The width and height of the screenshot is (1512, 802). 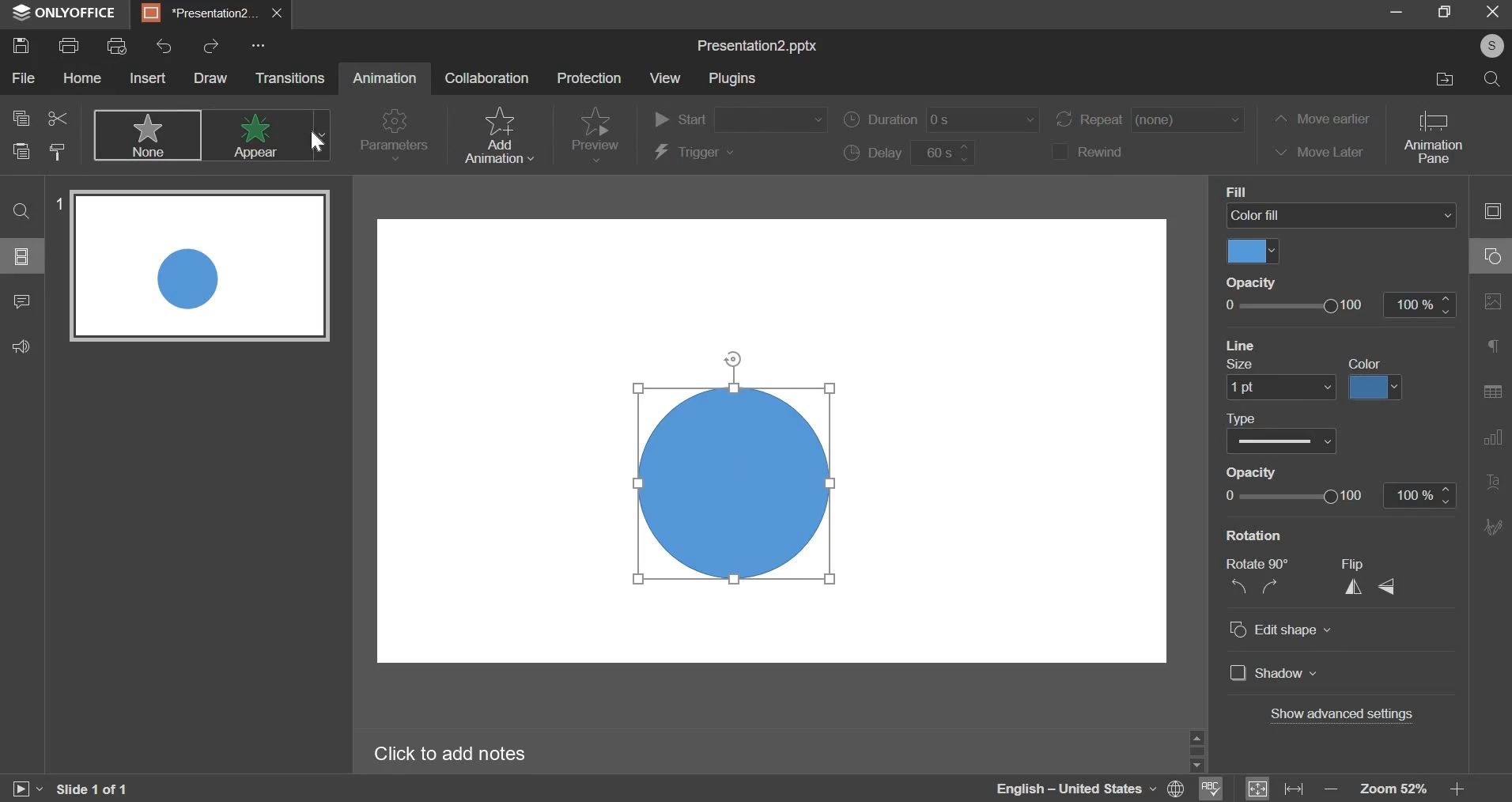 I want to click on shadow, so click(x=1276, y=675).